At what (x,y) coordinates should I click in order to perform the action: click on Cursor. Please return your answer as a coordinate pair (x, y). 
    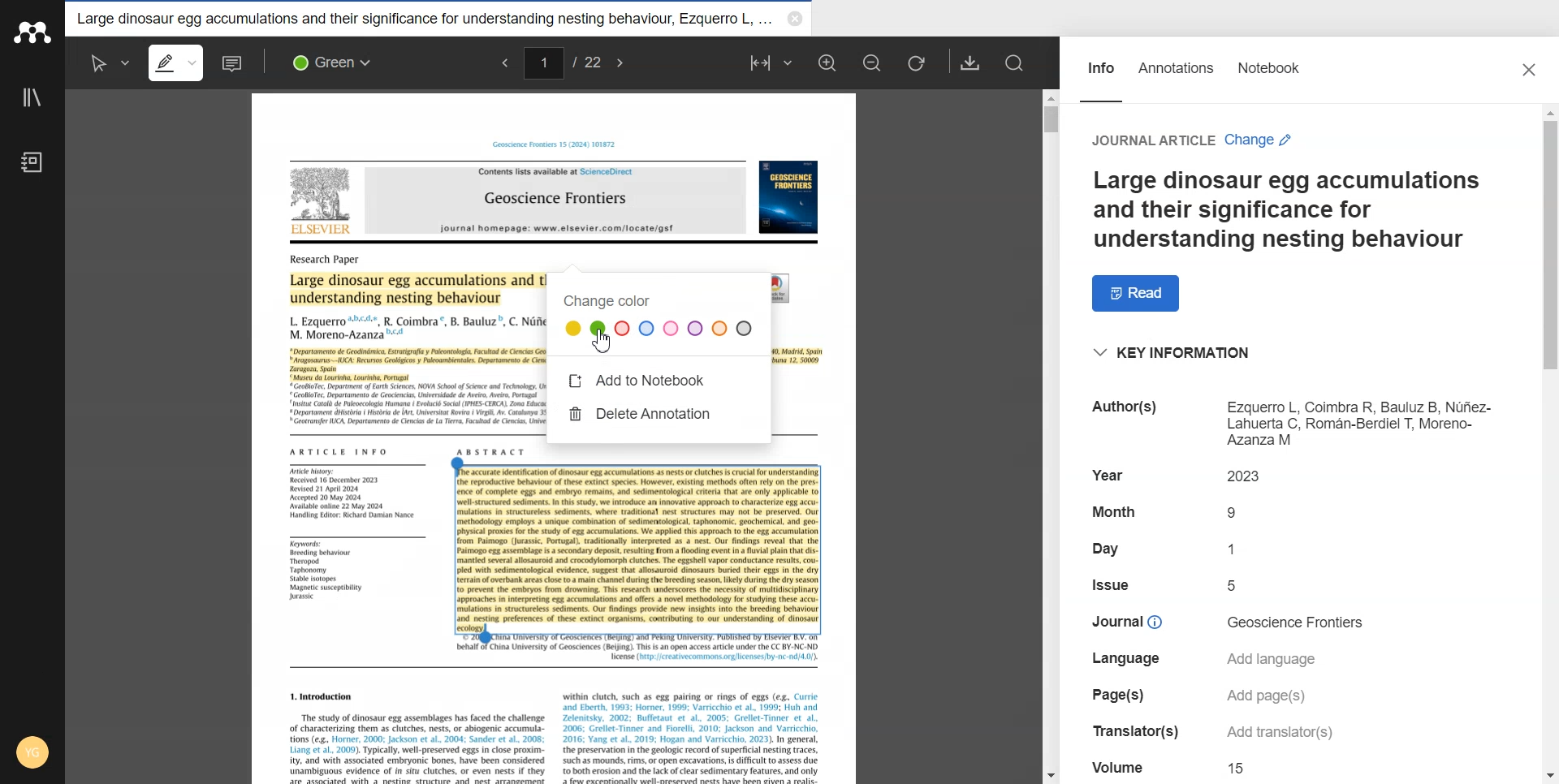
    Looking at the image, I should click on (603, 340).